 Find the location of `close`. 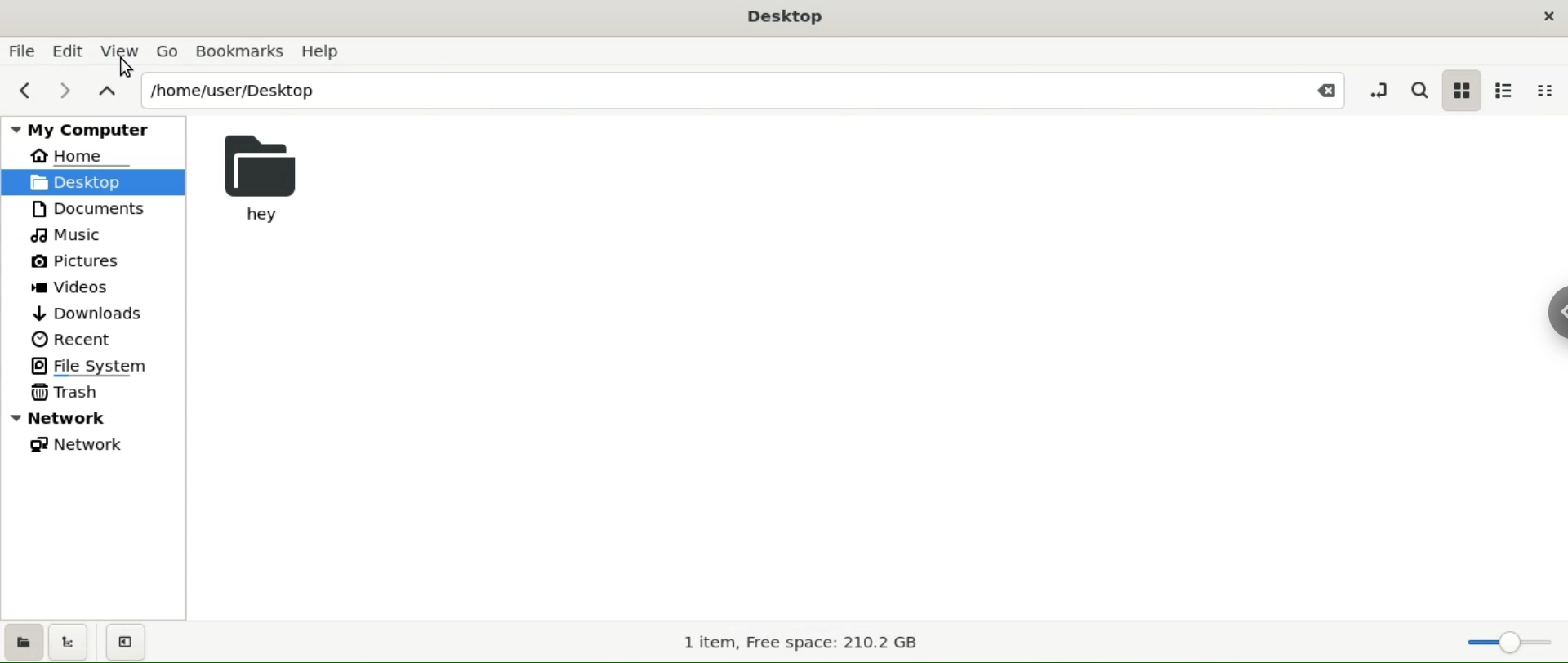

close is located at coordinates (1318, 90).